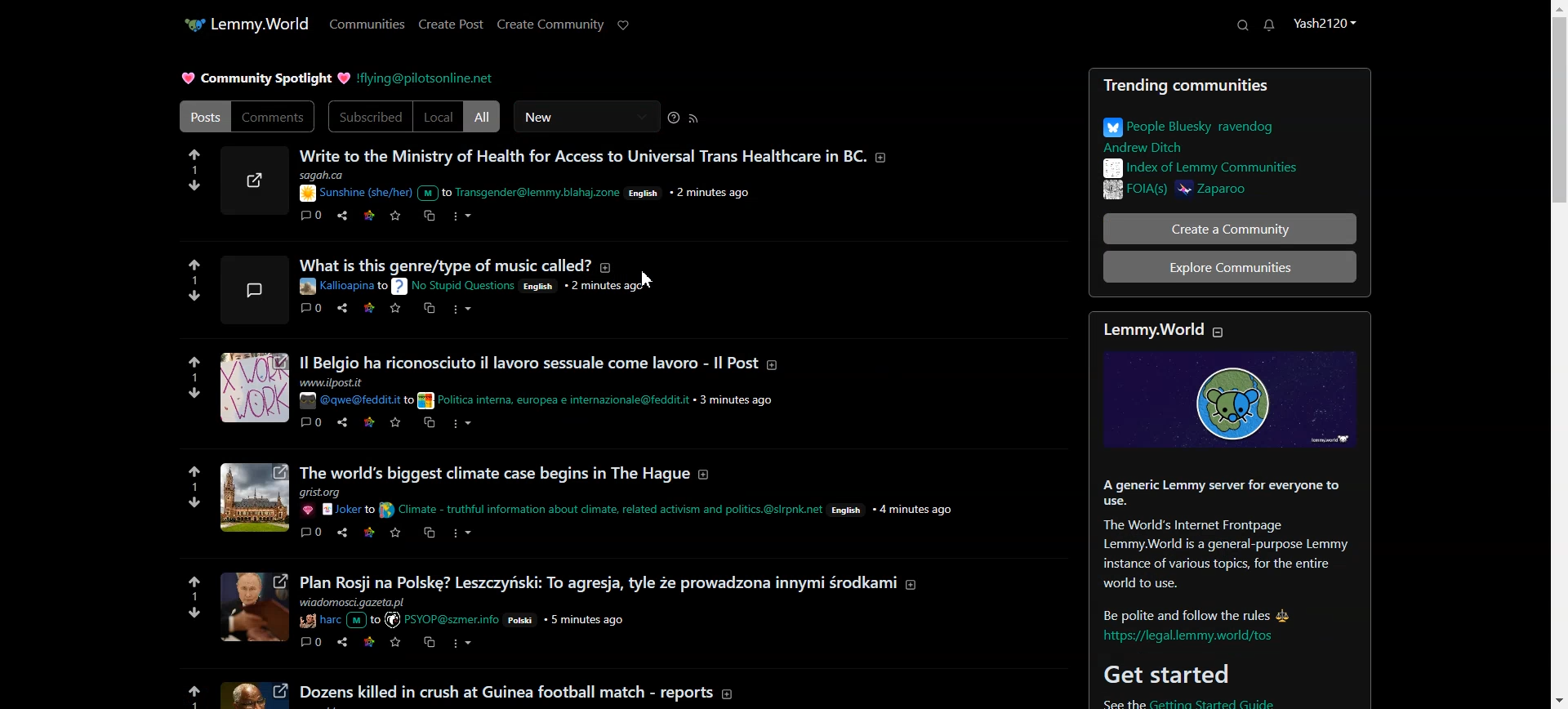 The image size is (1568, 709). I want to click on English, so click(546, 288).